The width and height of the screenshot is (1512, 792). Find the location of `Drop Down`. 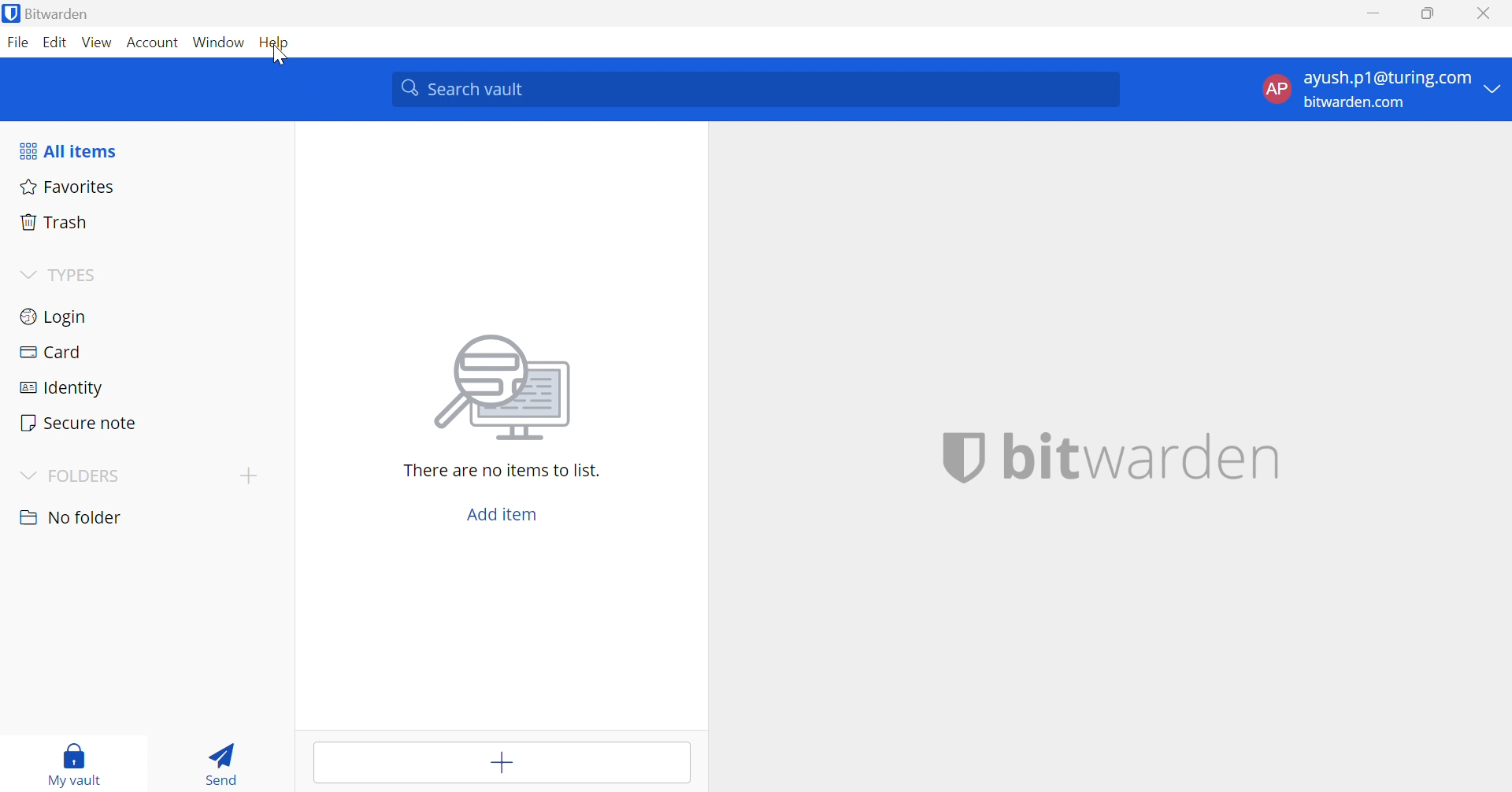

Drop Down is located at coordinates (69, 517).